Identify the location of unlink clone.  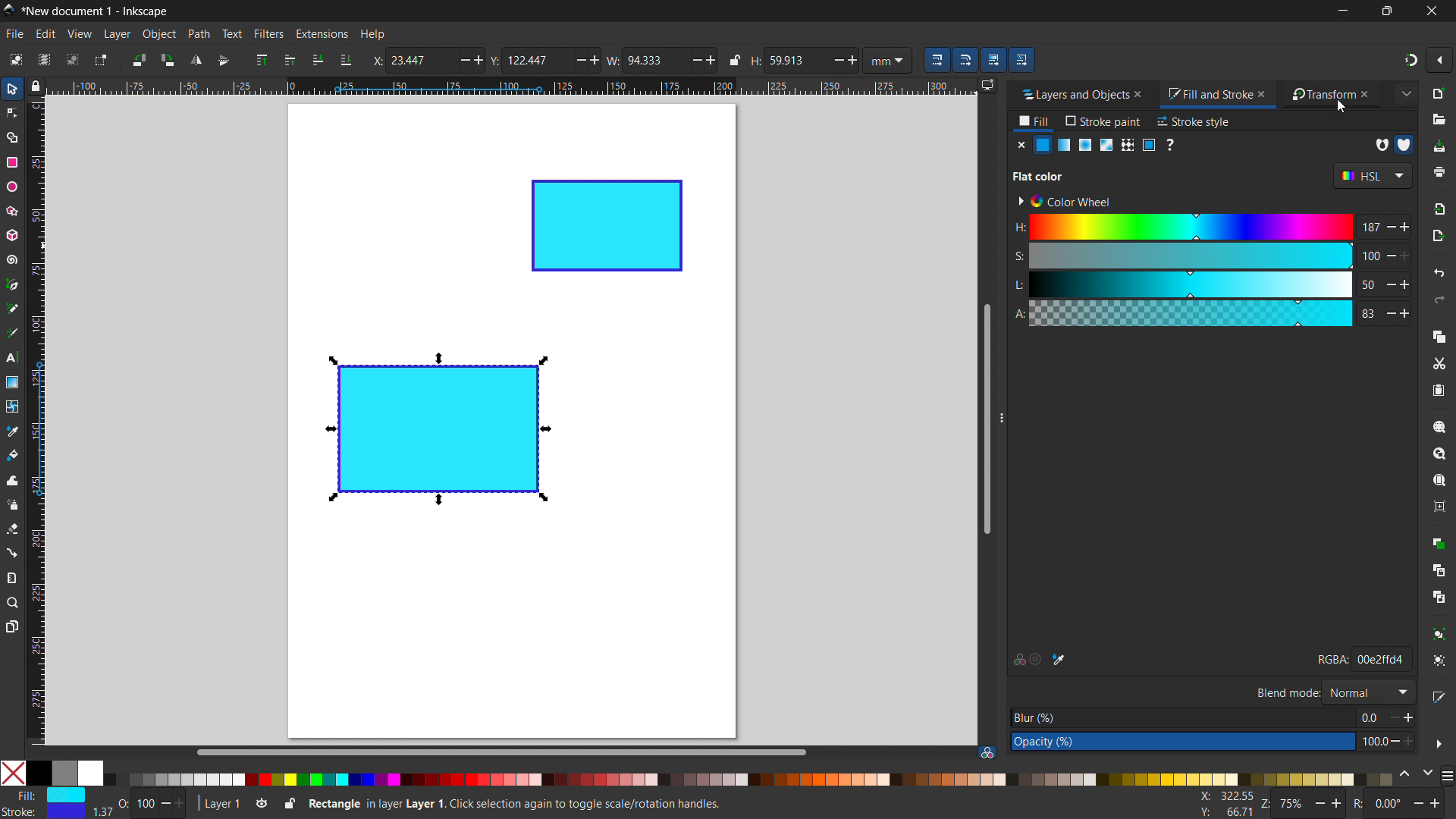
(1439, 597).